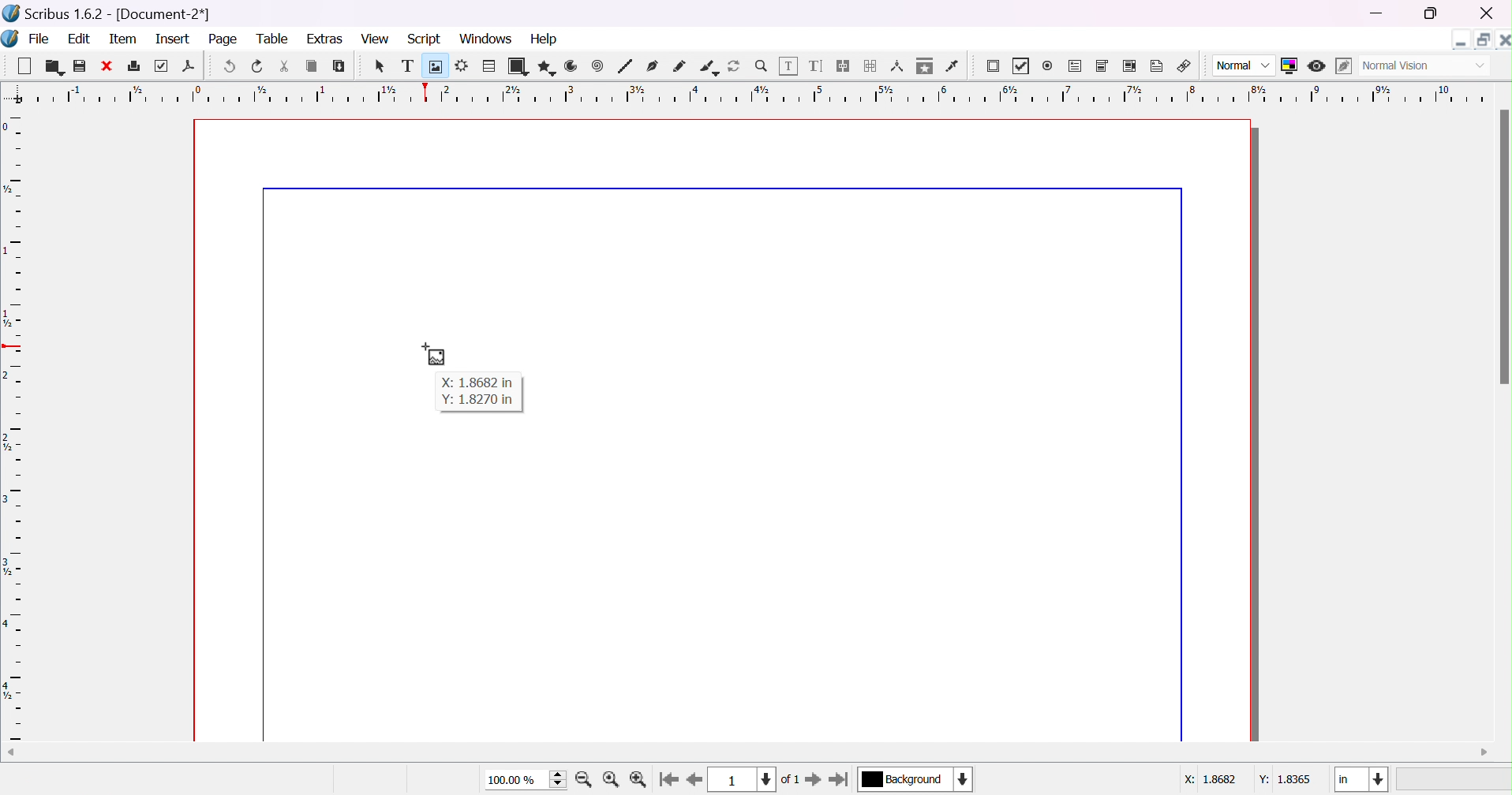  Describe the element at coordinates (584, 780) in the screenshot. I see `zoom in` at that location.